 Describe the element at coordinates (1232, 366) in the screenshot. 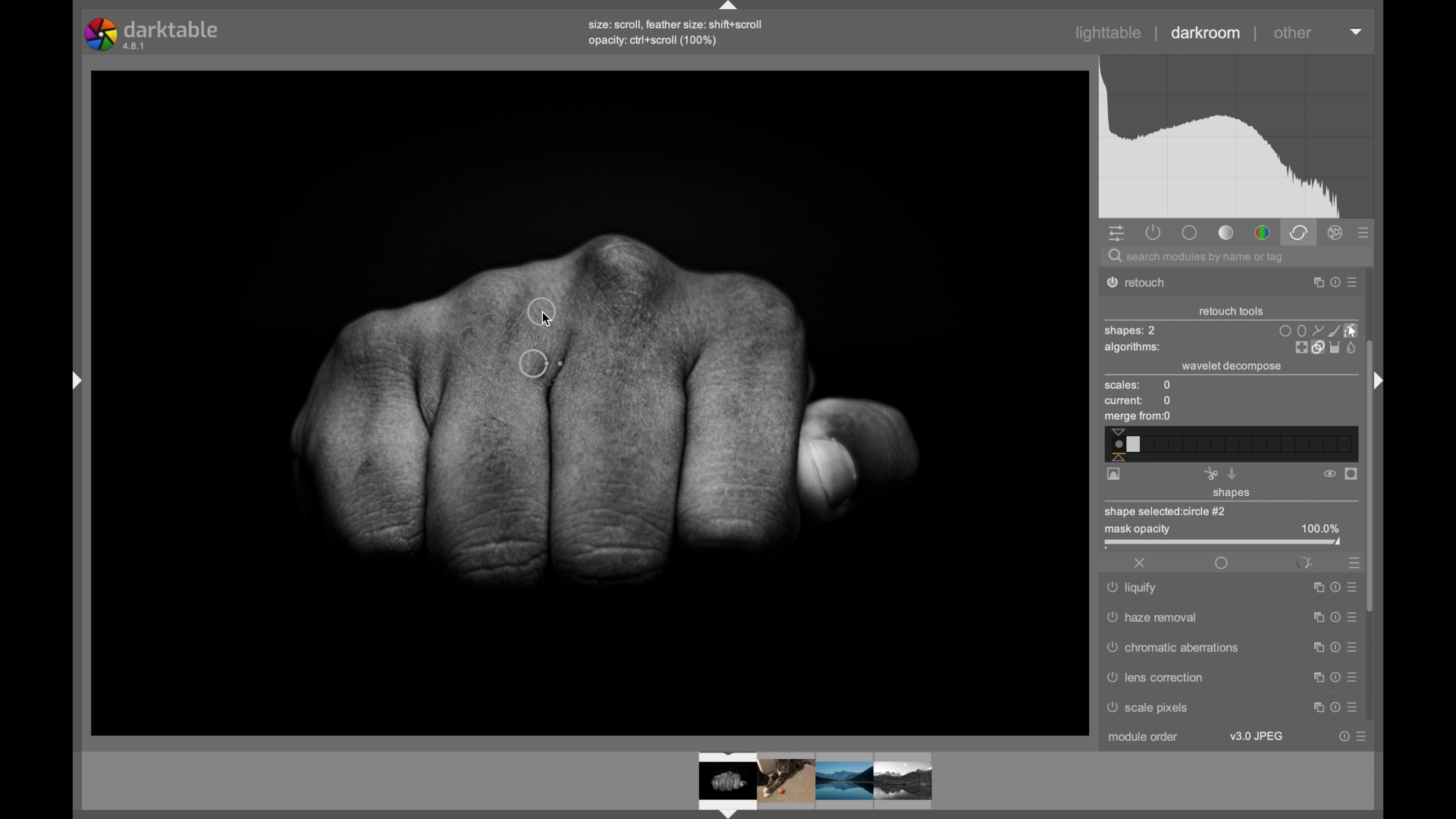

I see `wavelet decompose` at that location.